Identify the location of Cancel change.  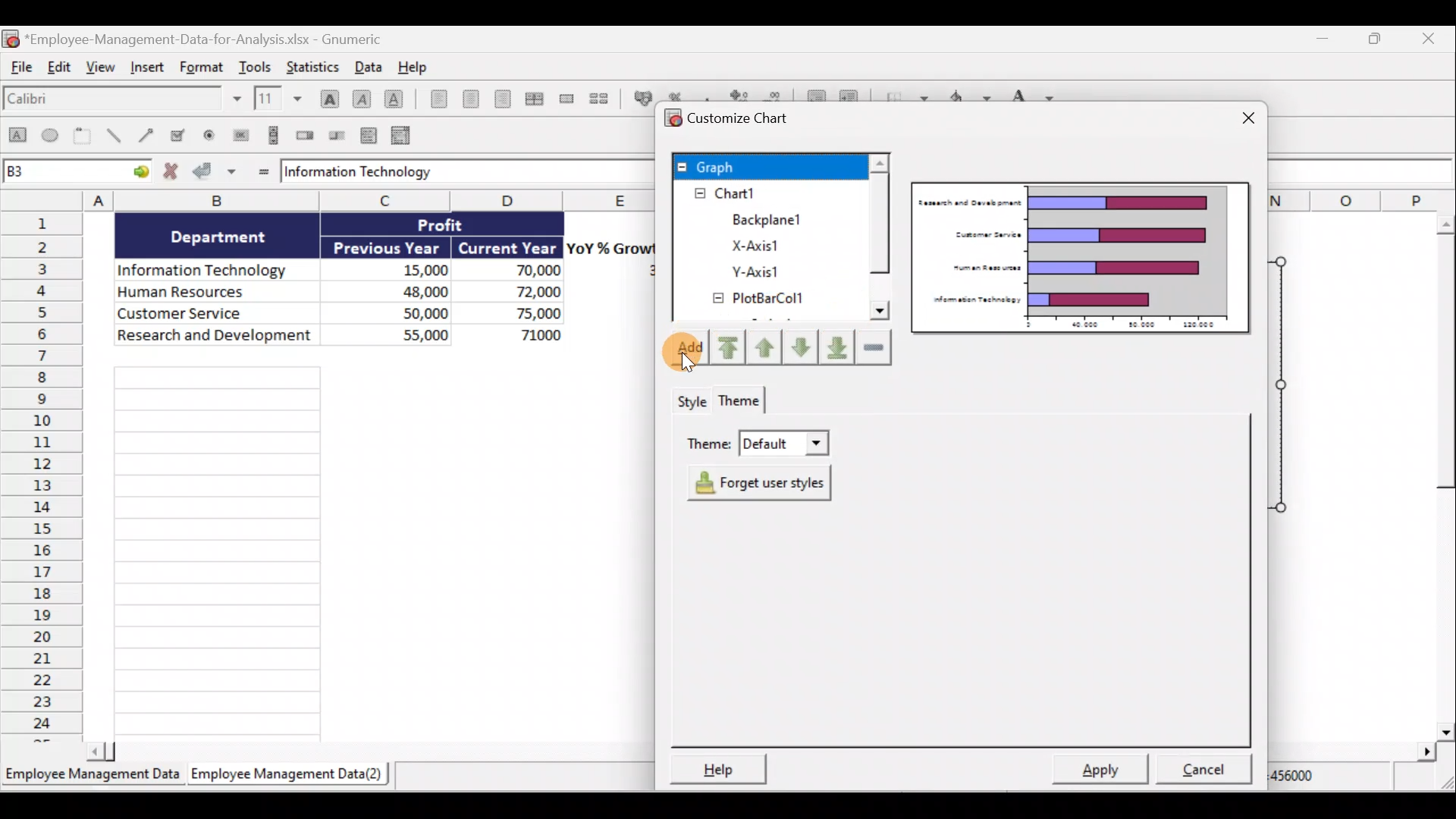
(174, 172).